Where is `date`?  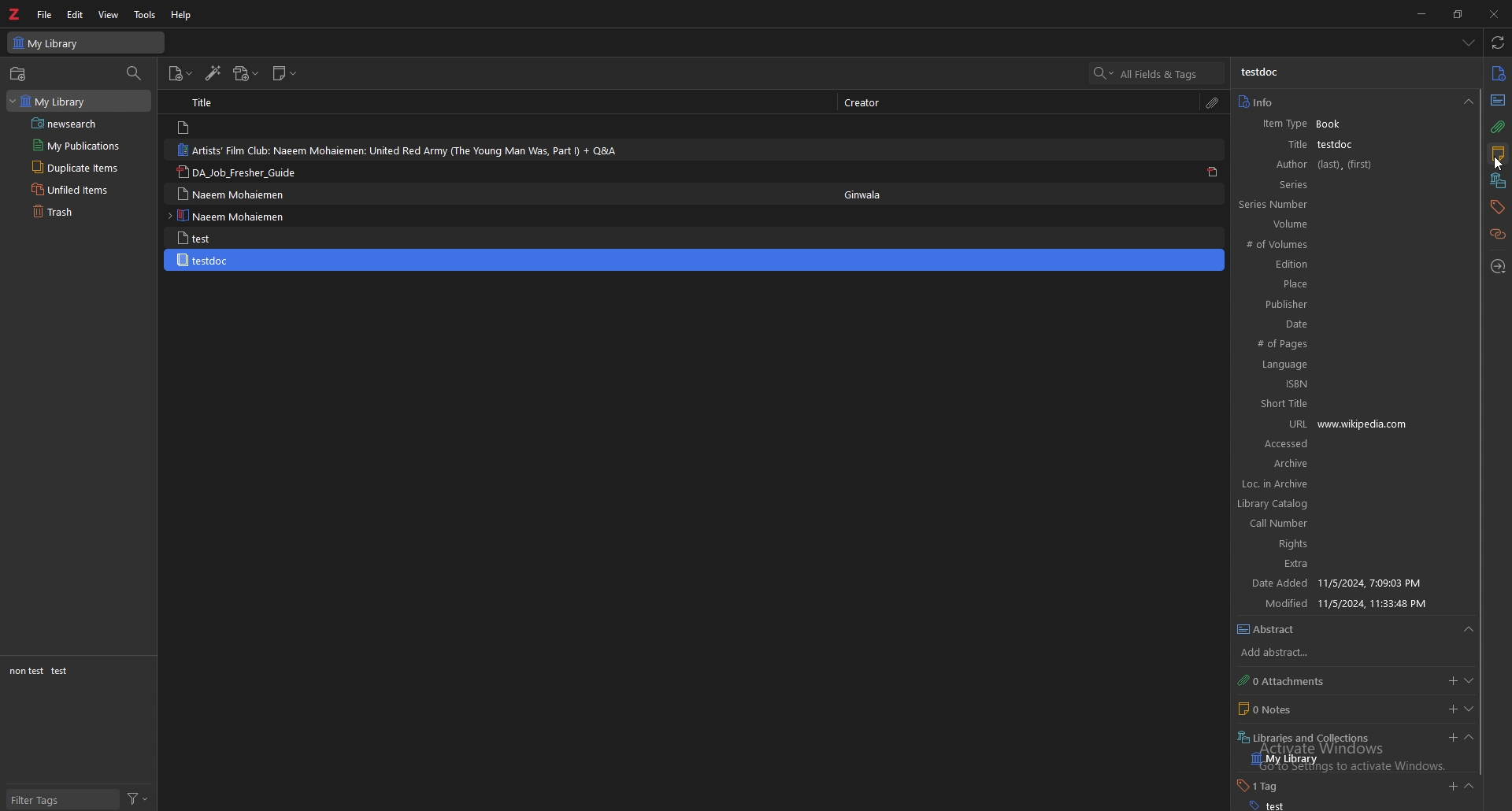
date is located at coordinates (1343, 325).